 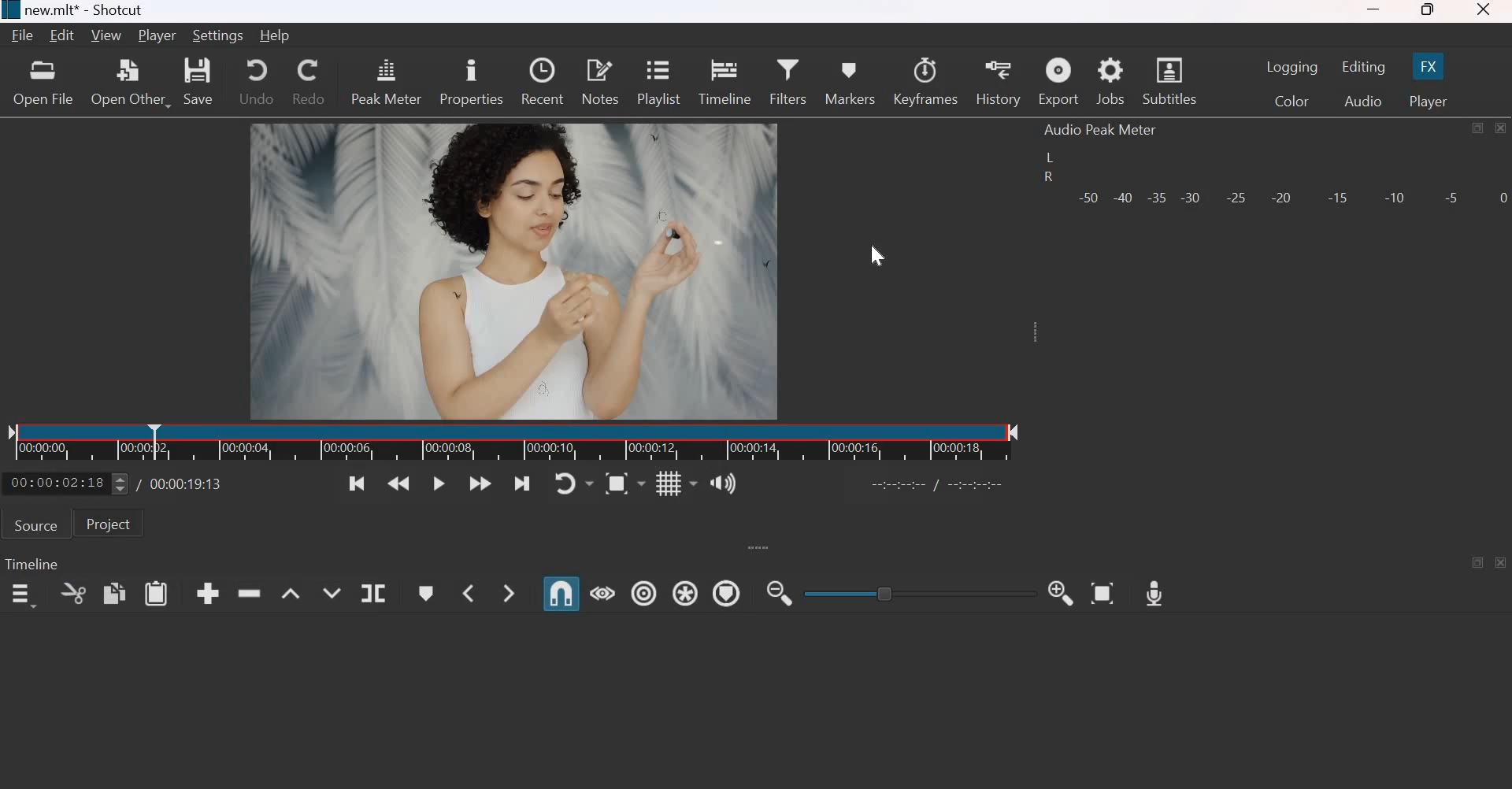 I want to click on /, so click(x=143, y=483).